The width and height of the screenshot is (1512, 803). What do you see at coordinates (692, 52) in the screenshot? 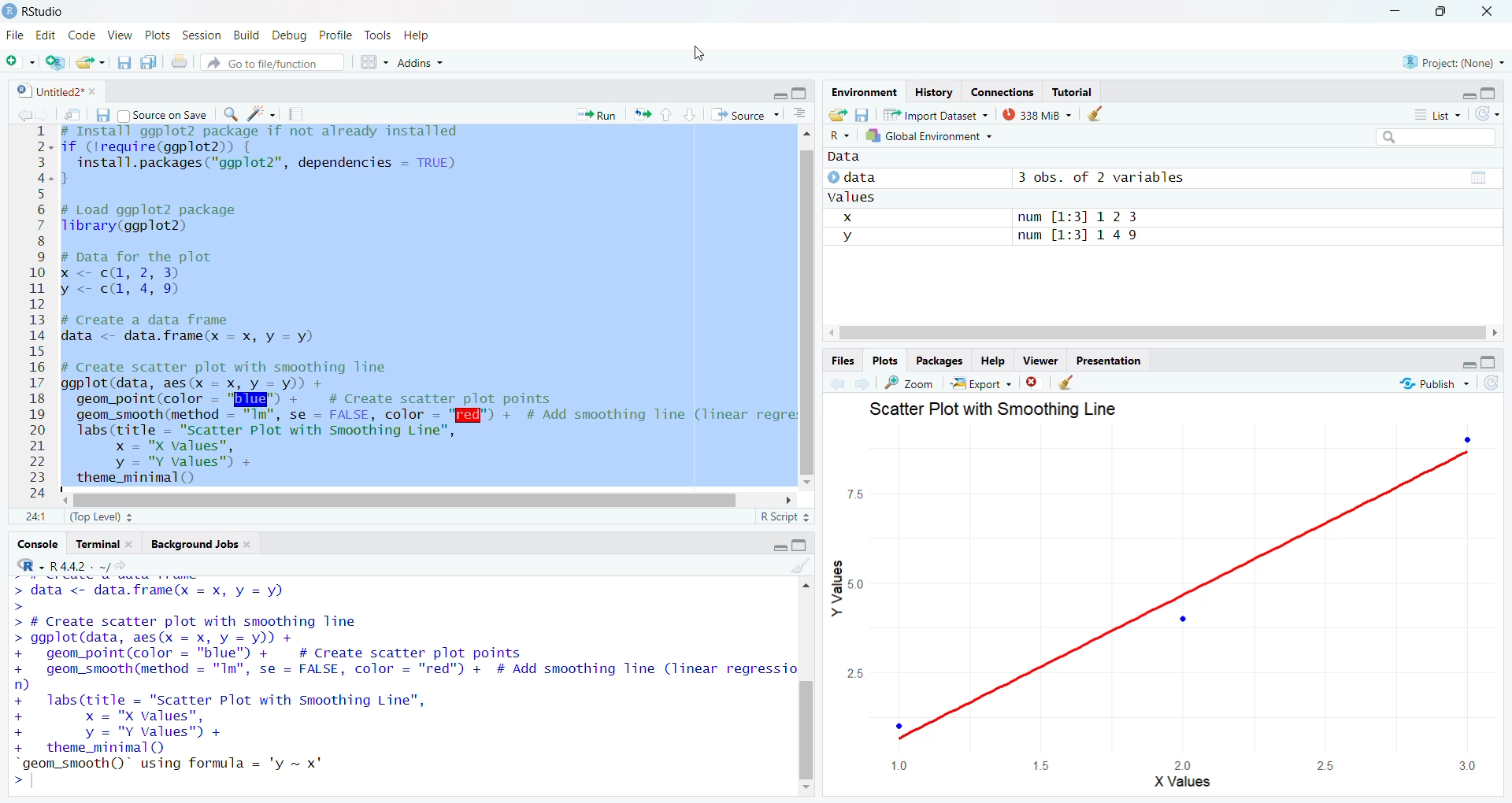
I see `cursor` at bounding box center [692, 52].